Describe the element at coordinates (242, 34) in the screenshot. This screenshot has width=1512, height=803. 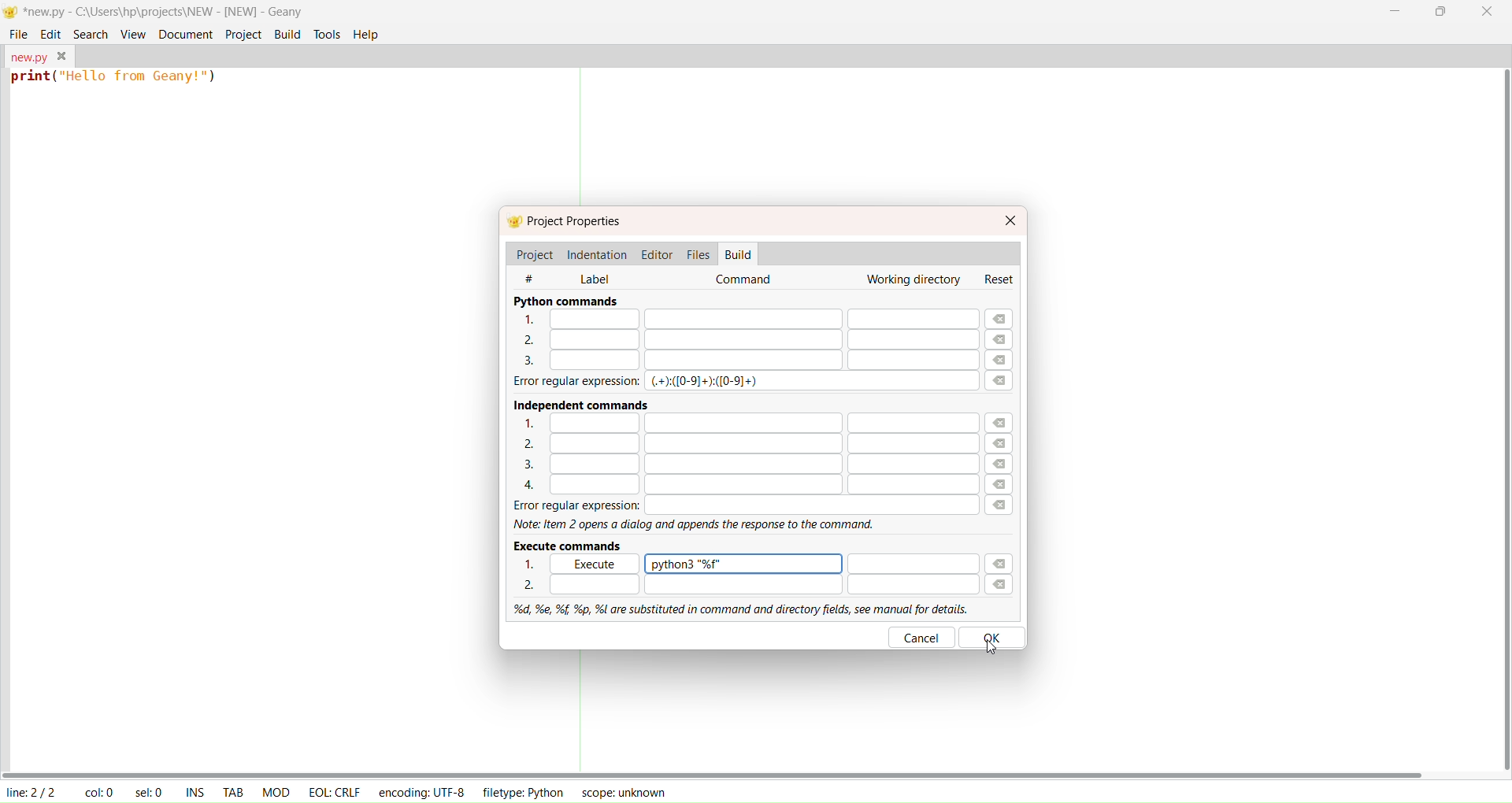
I see `project` at that location.